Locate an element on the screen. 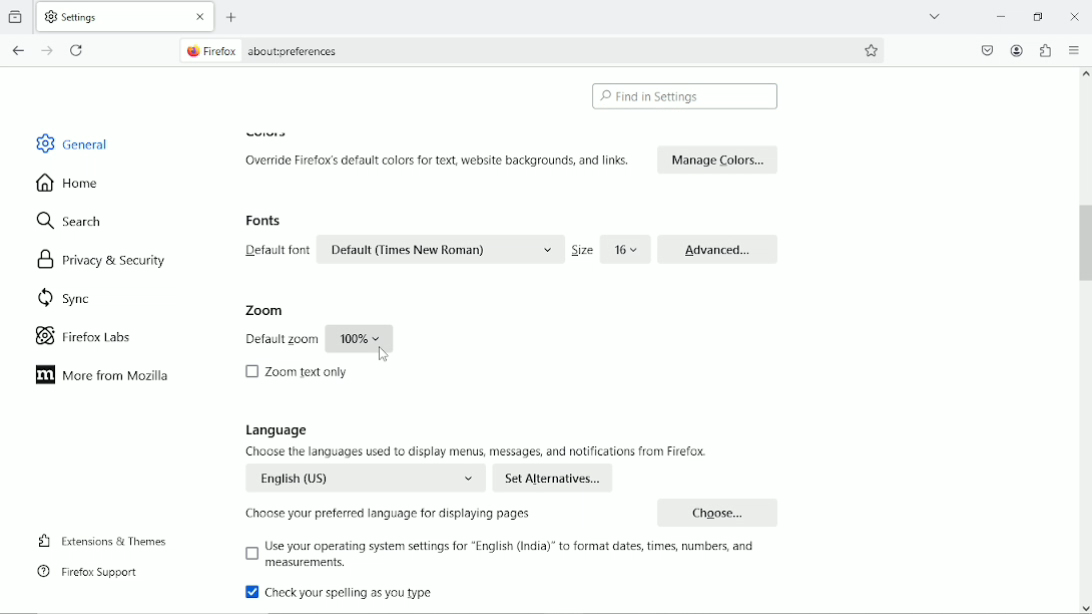 The height and width of the screenshot is (614, 1092). English (US) is located at coordinates (368, 477).